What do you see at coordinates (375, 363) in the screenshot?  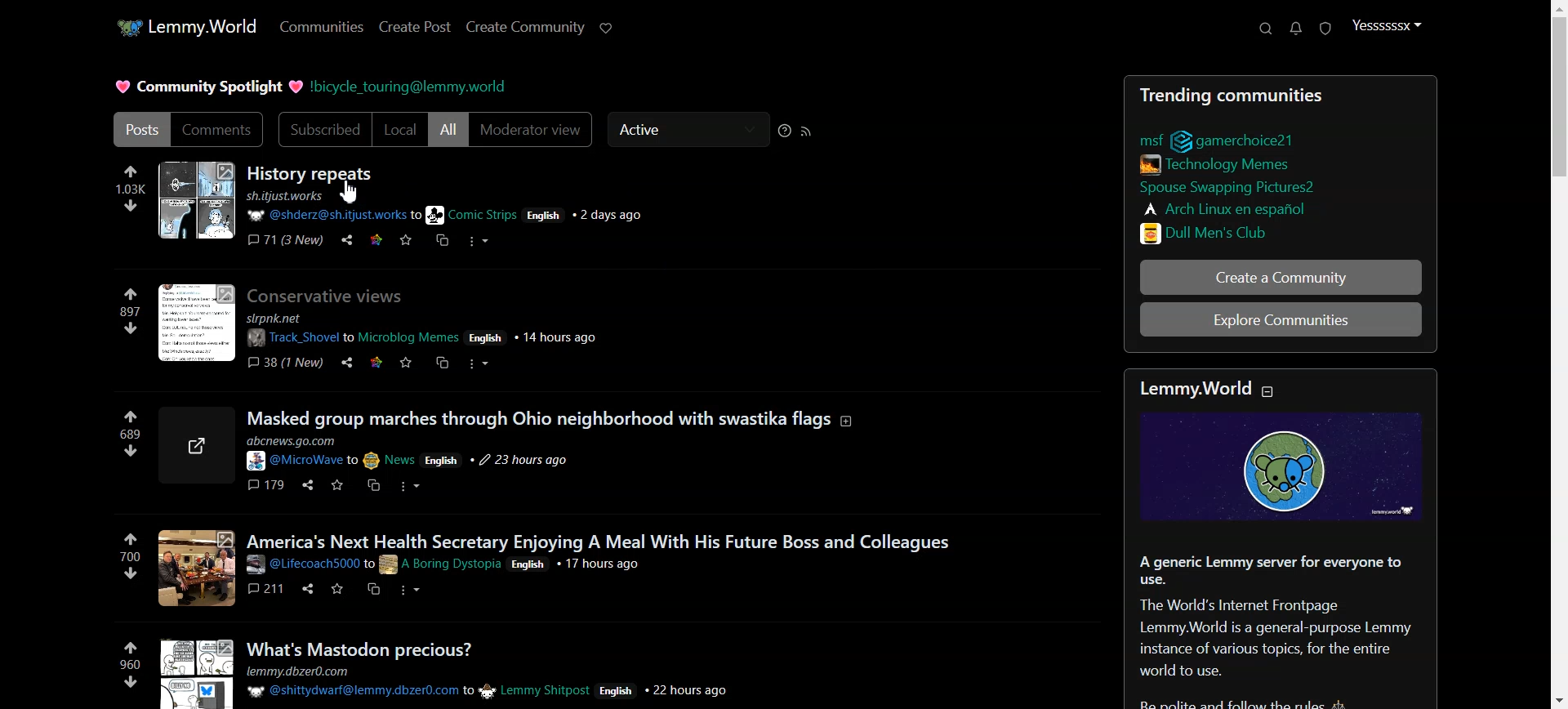 I see `Link` at bounding box center [375, 363].